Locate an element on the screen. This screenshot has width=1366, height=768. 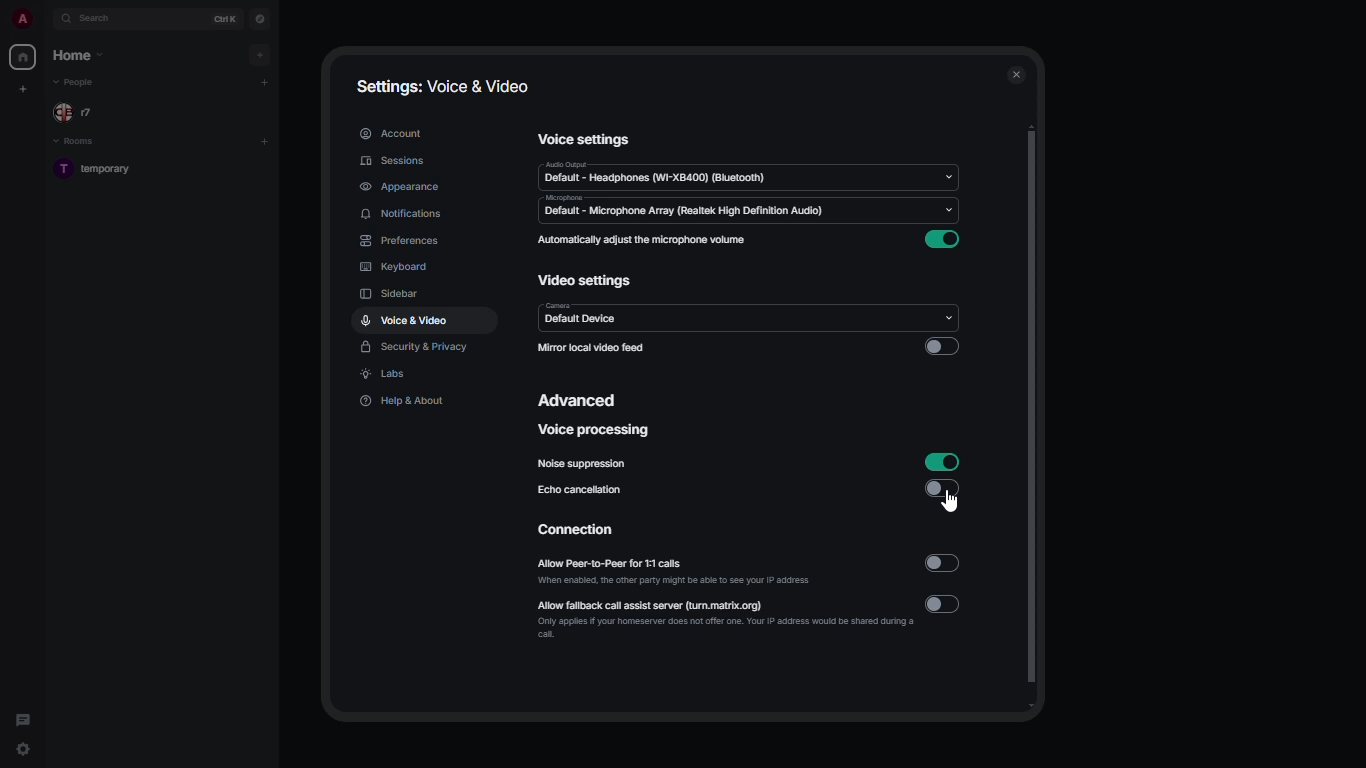
expand is located at coordinates (47, 18).